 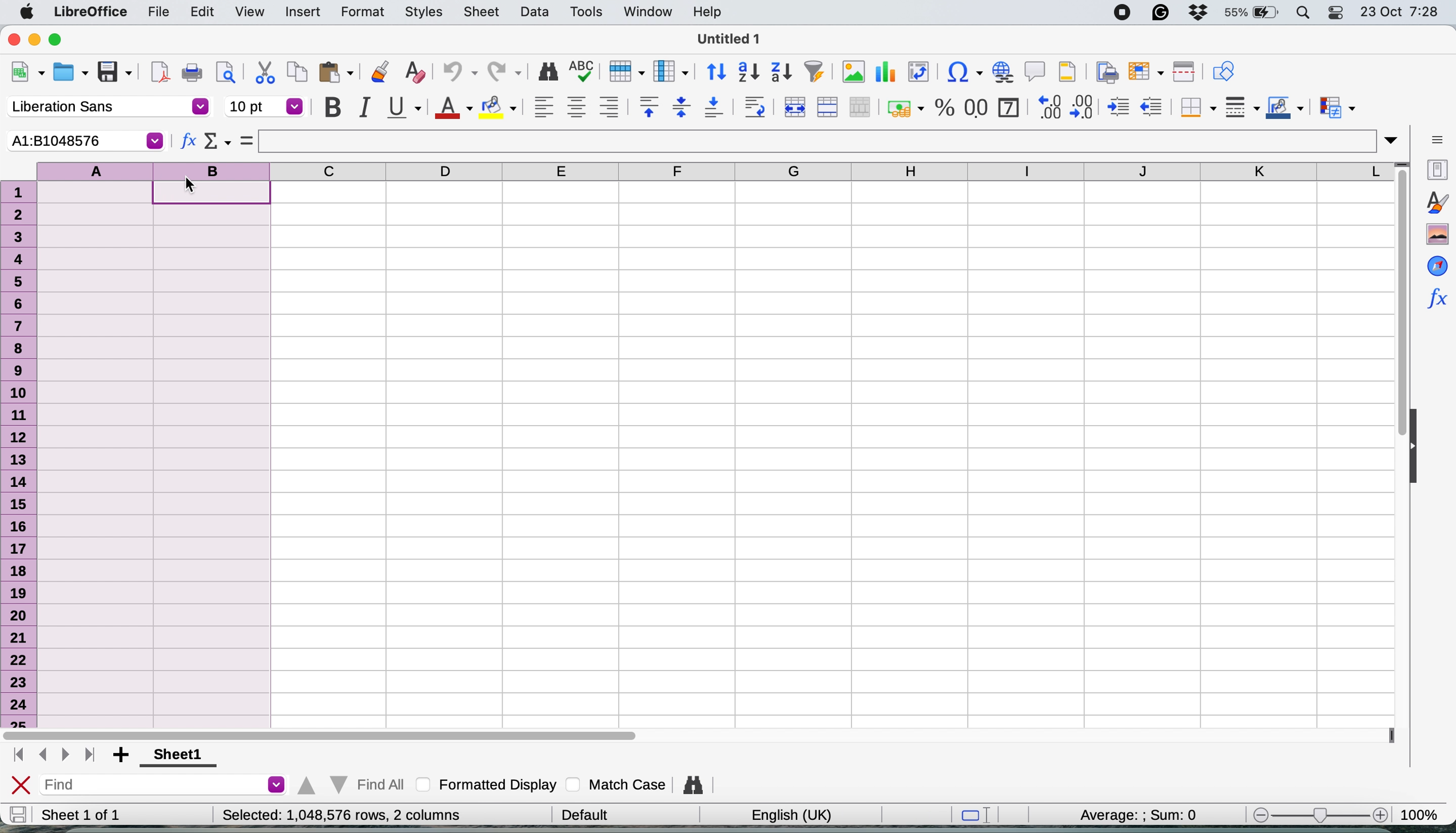 I want to click on properties, so click(x=1436, y=169).